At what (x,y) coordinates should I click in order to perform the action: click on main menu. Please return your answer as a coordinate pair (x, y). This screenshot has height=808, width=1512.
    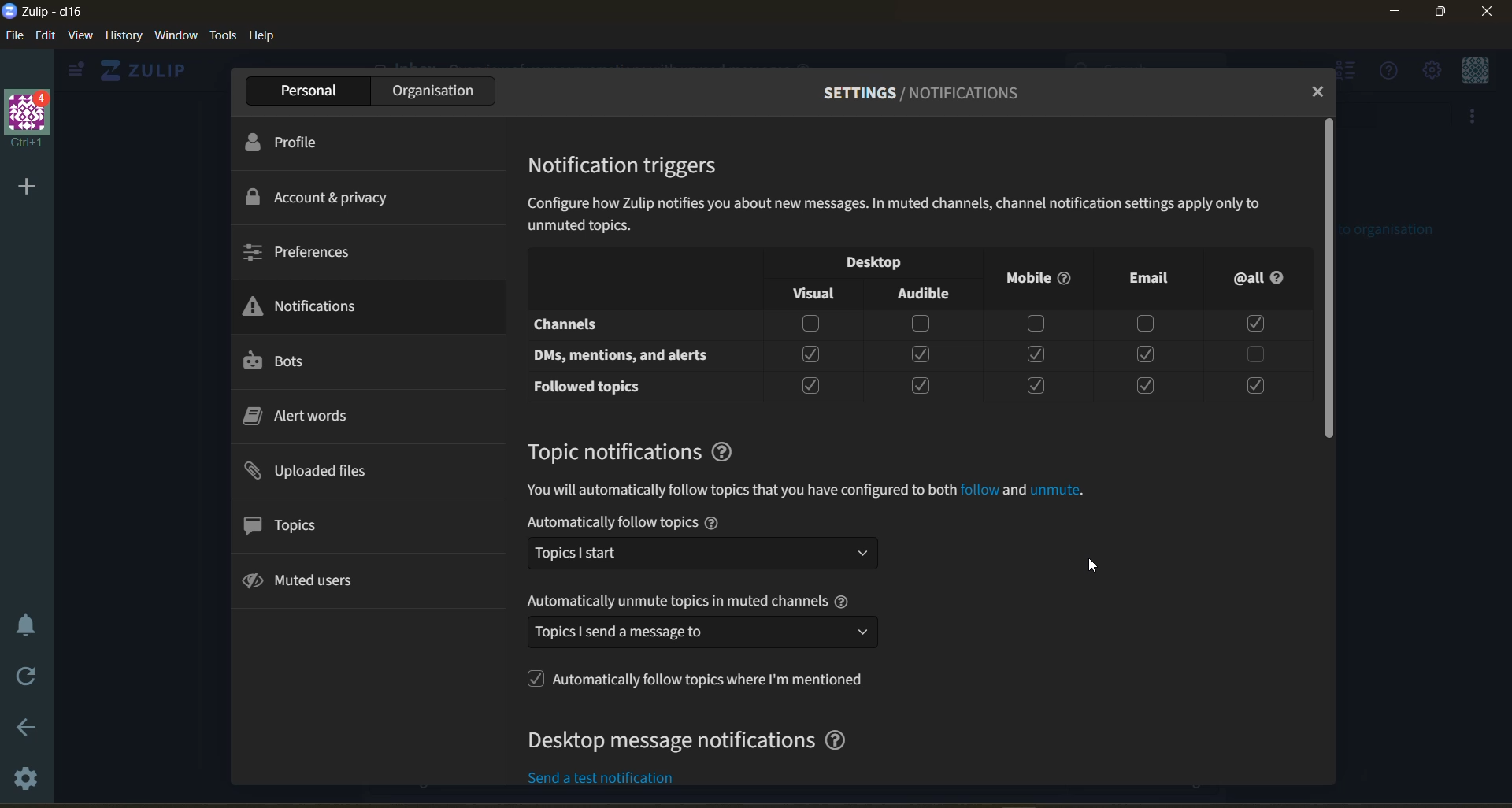
    Looking at the image, I should click on (1431, 70).